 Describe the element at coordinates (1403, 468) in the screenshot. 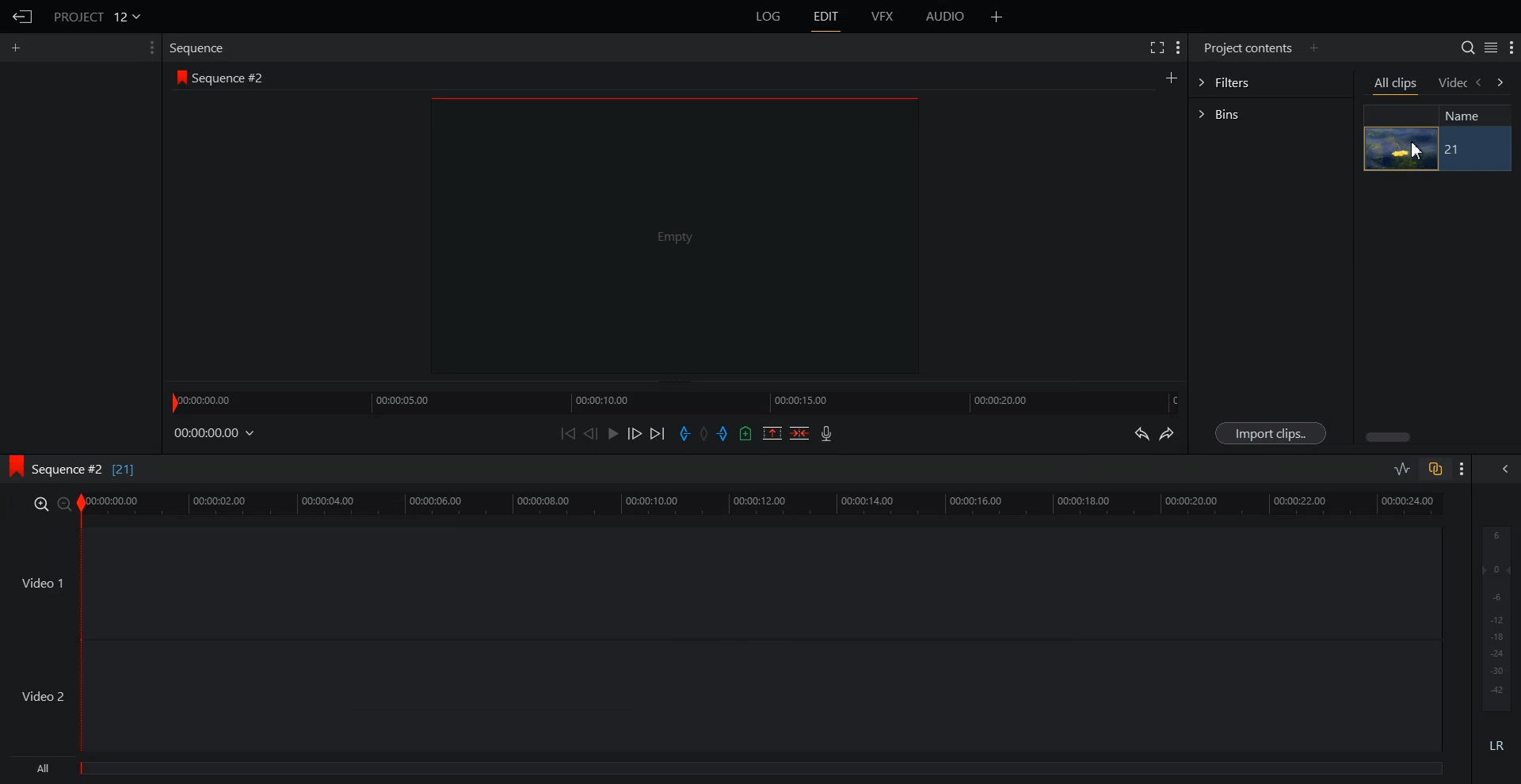

I see `Toggle Audio editing` at that location.